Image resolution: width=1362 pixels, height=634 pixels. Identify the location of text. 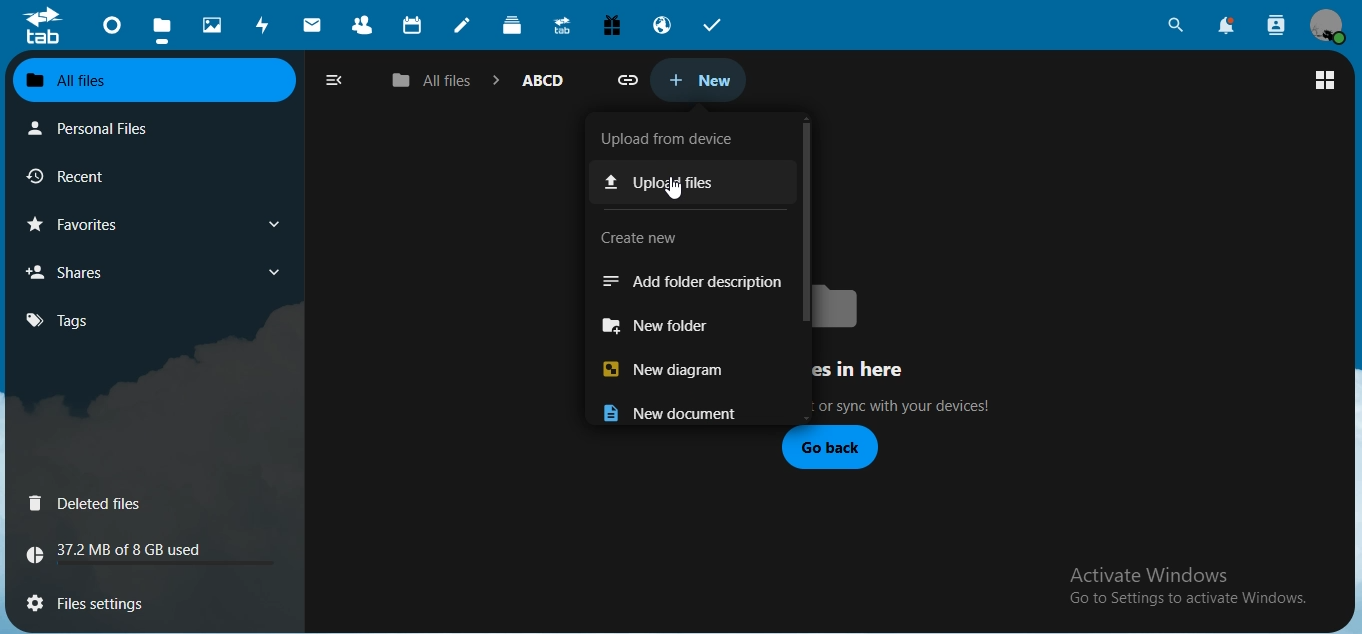
(641, 237).